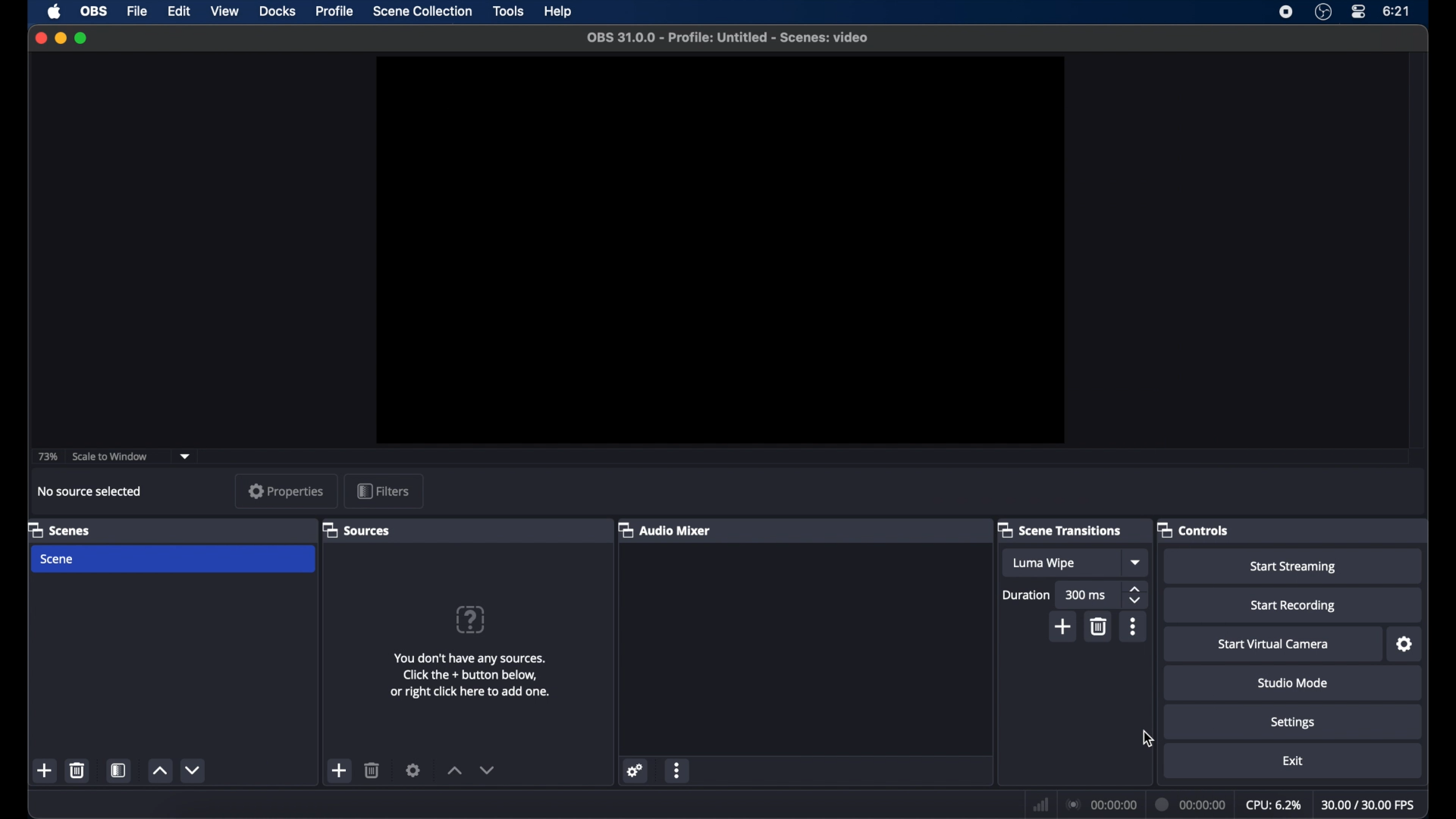 This screenshot has height=819, width=1456. Describe the element at coordinates (510, 11) in the screenshot. I see `tools` at that location.